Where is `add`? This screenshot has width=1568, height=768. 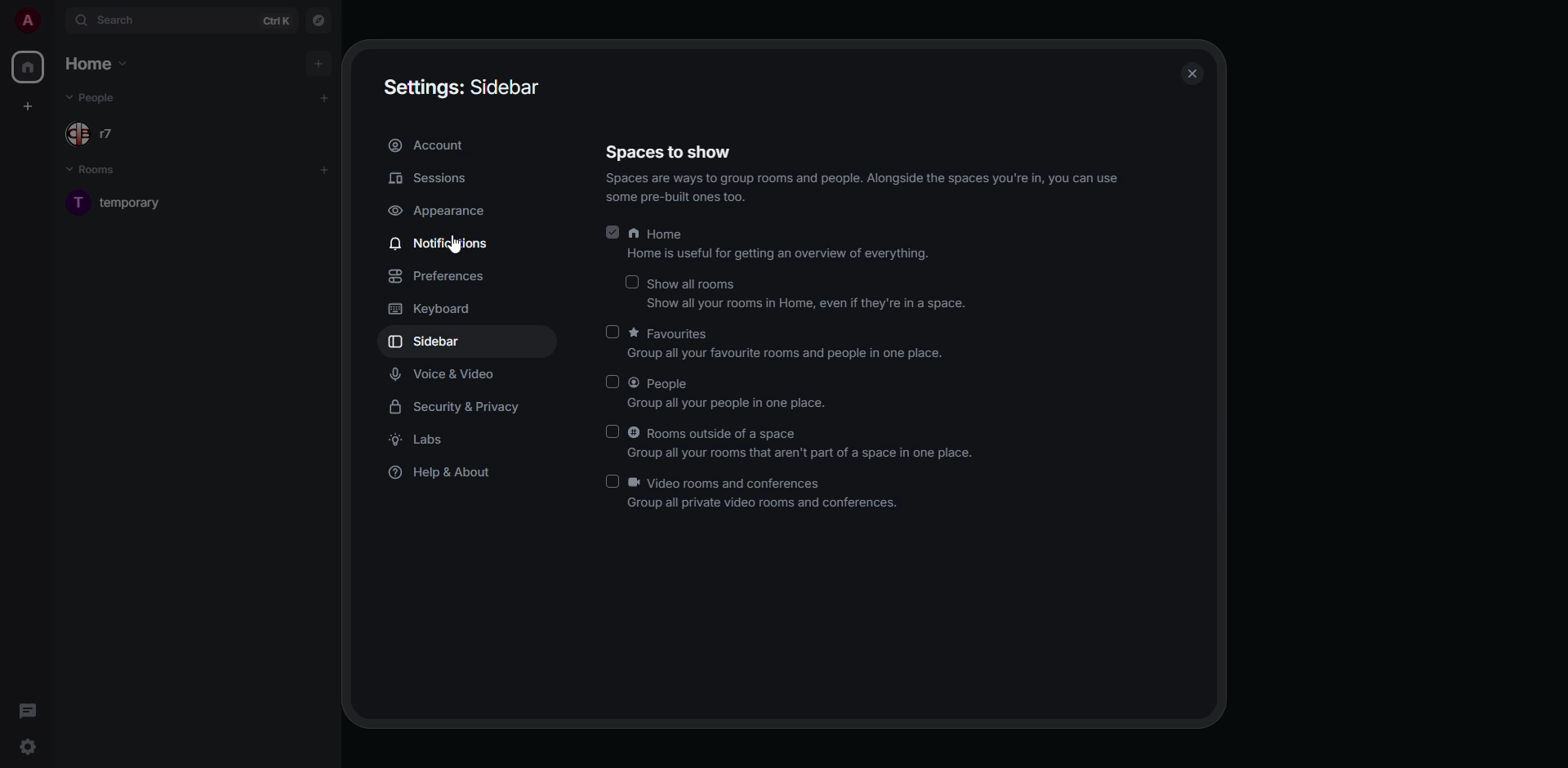
add is located at coordinates (323, 170).